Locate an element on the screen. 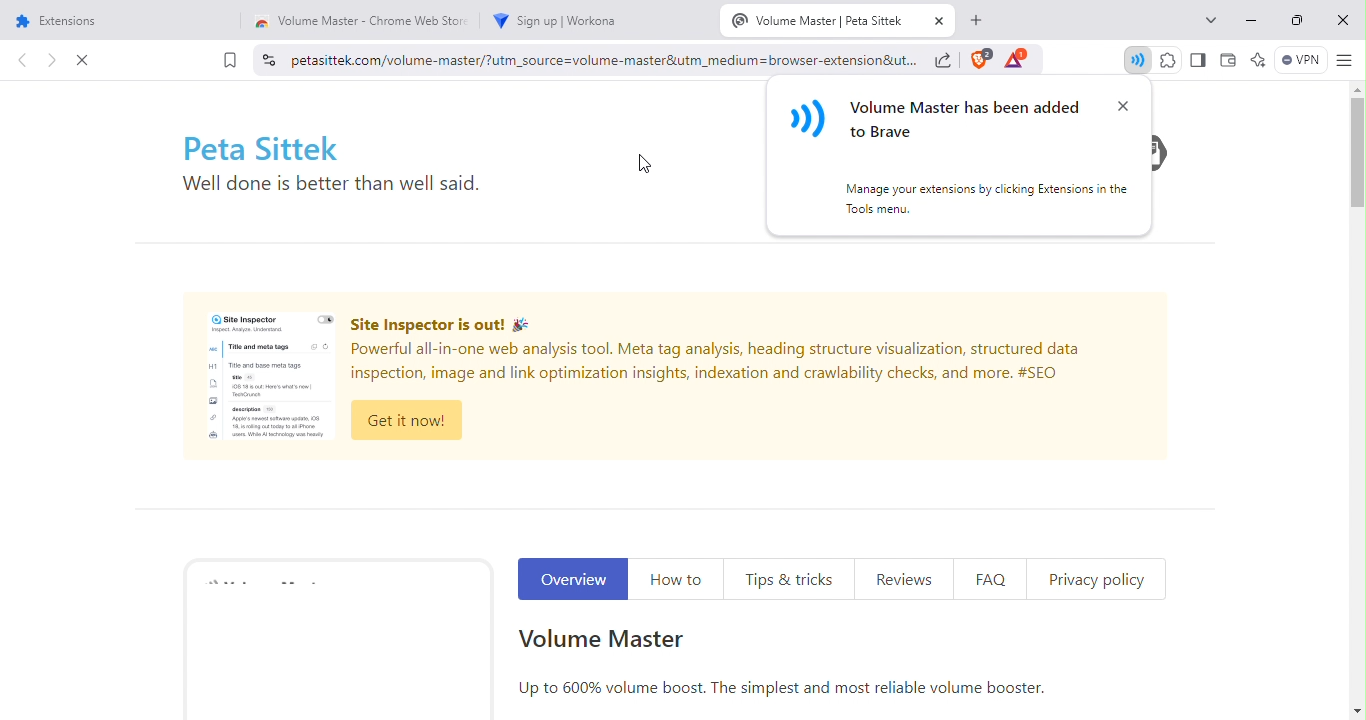 The width and height of the screenshot is (1366, 720). brave firewall + VPN is located at coordinates (1304, 61).